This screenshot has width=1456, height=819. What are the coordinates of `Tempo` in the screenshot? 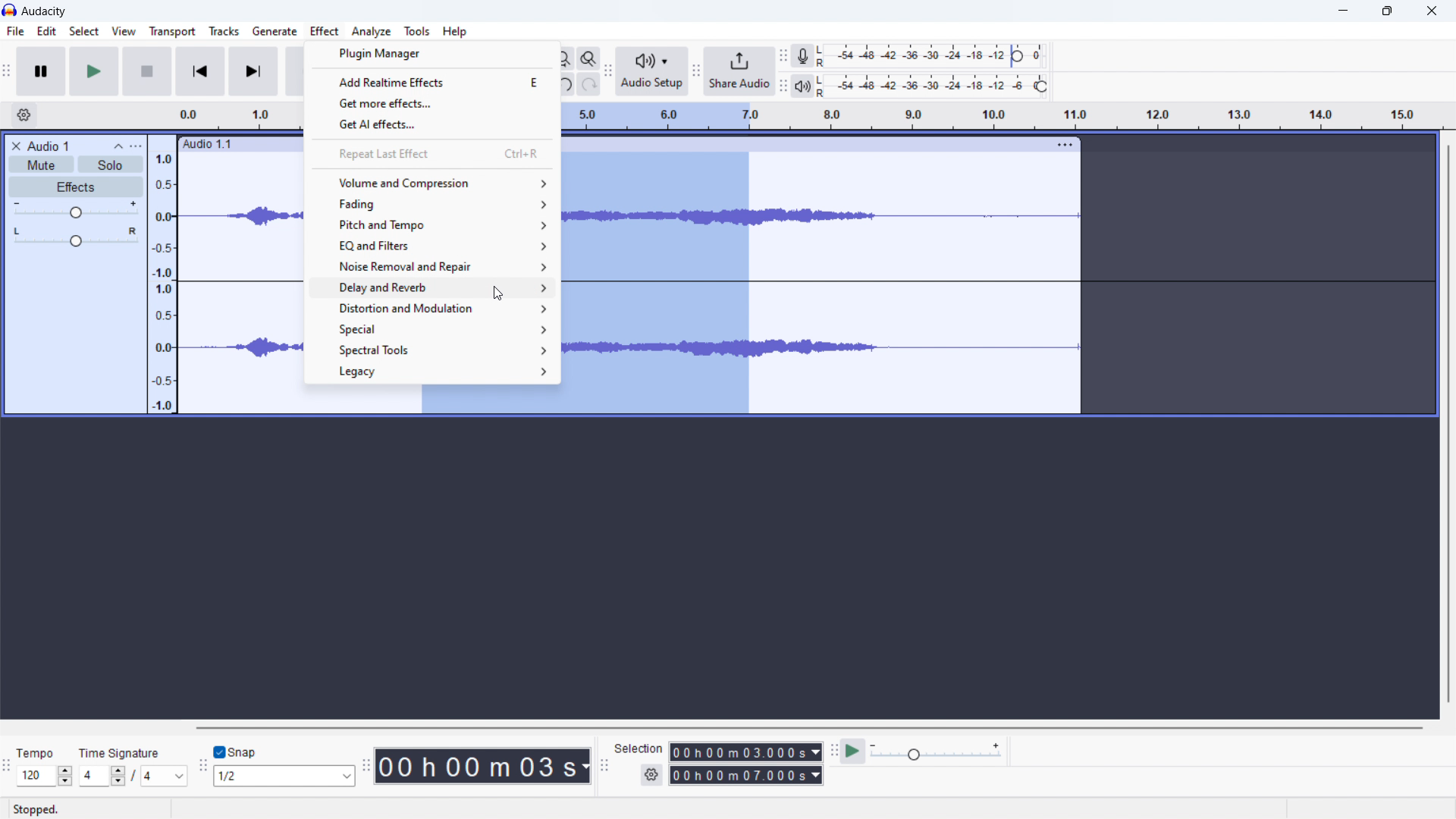 It's located at (37, 754).